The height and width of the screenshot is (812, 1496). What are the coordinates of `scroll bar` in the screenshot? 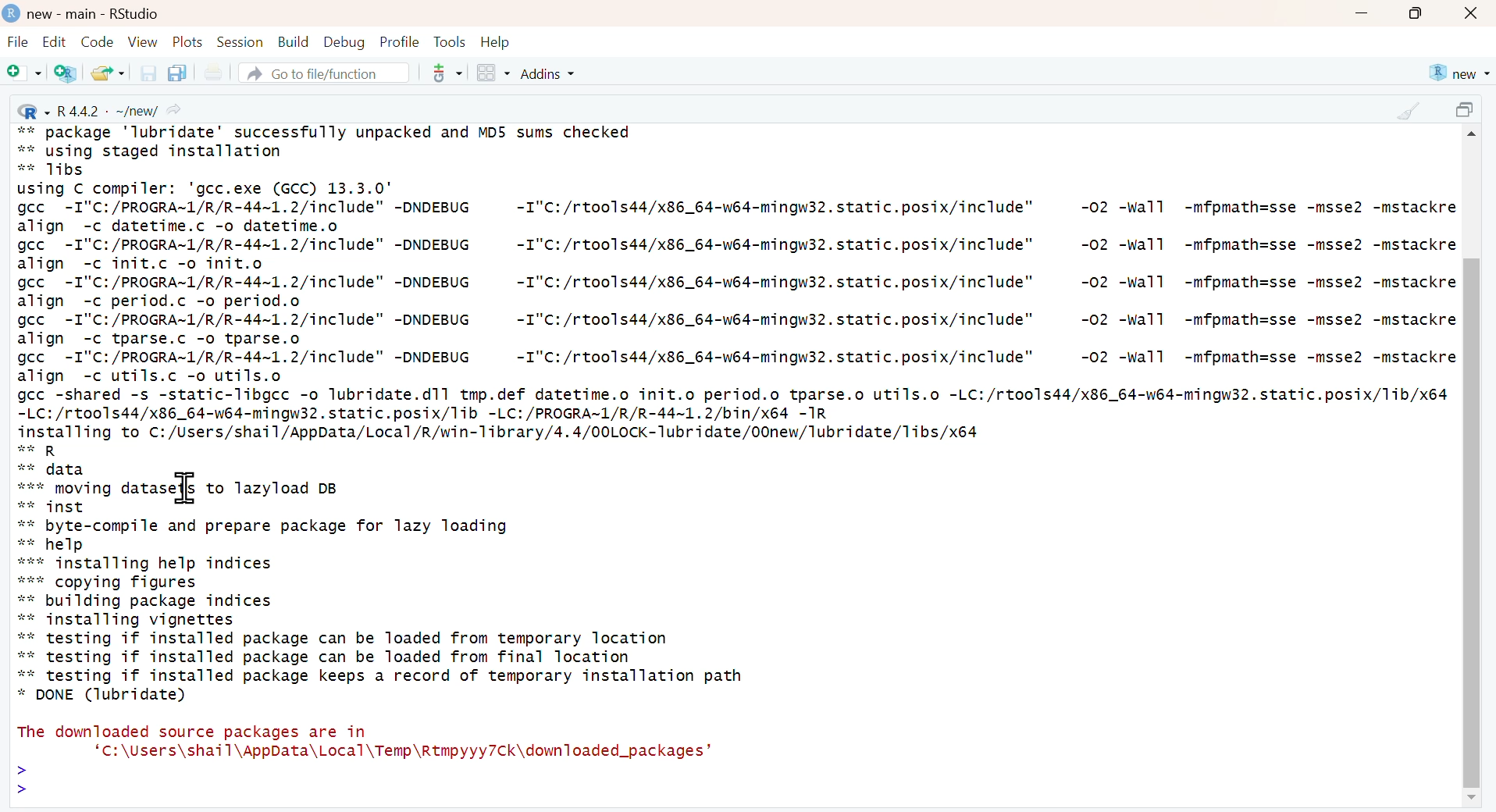 It's located at (1470, 522).